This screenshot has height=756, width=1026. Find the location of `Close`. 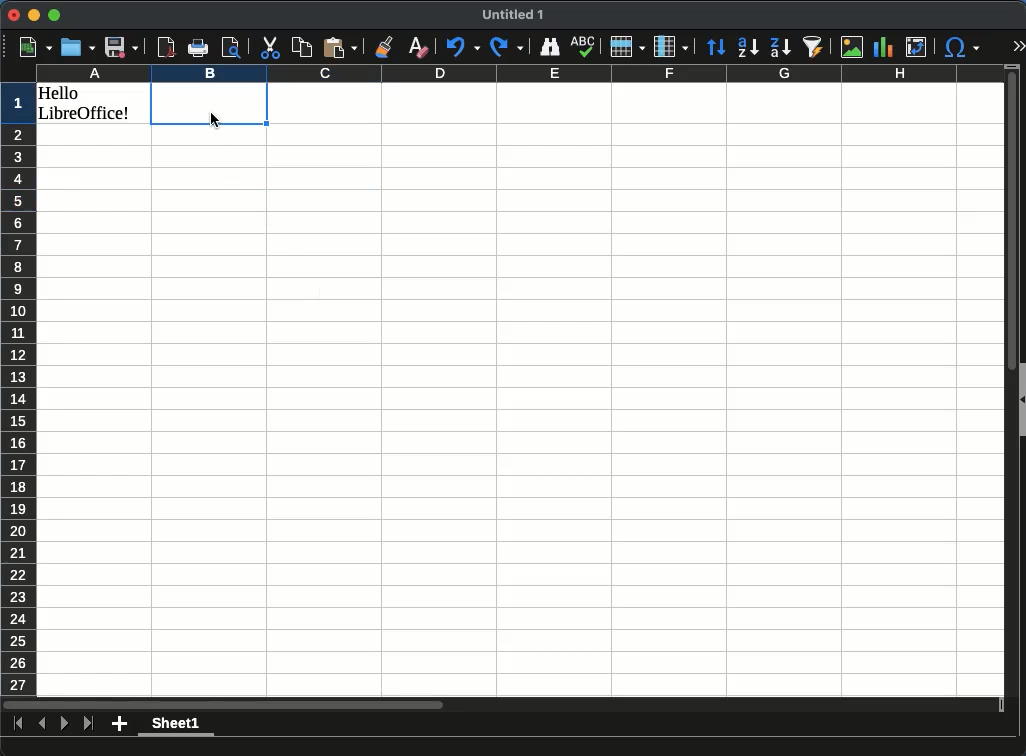

Close is located at coordinates (13, 15).